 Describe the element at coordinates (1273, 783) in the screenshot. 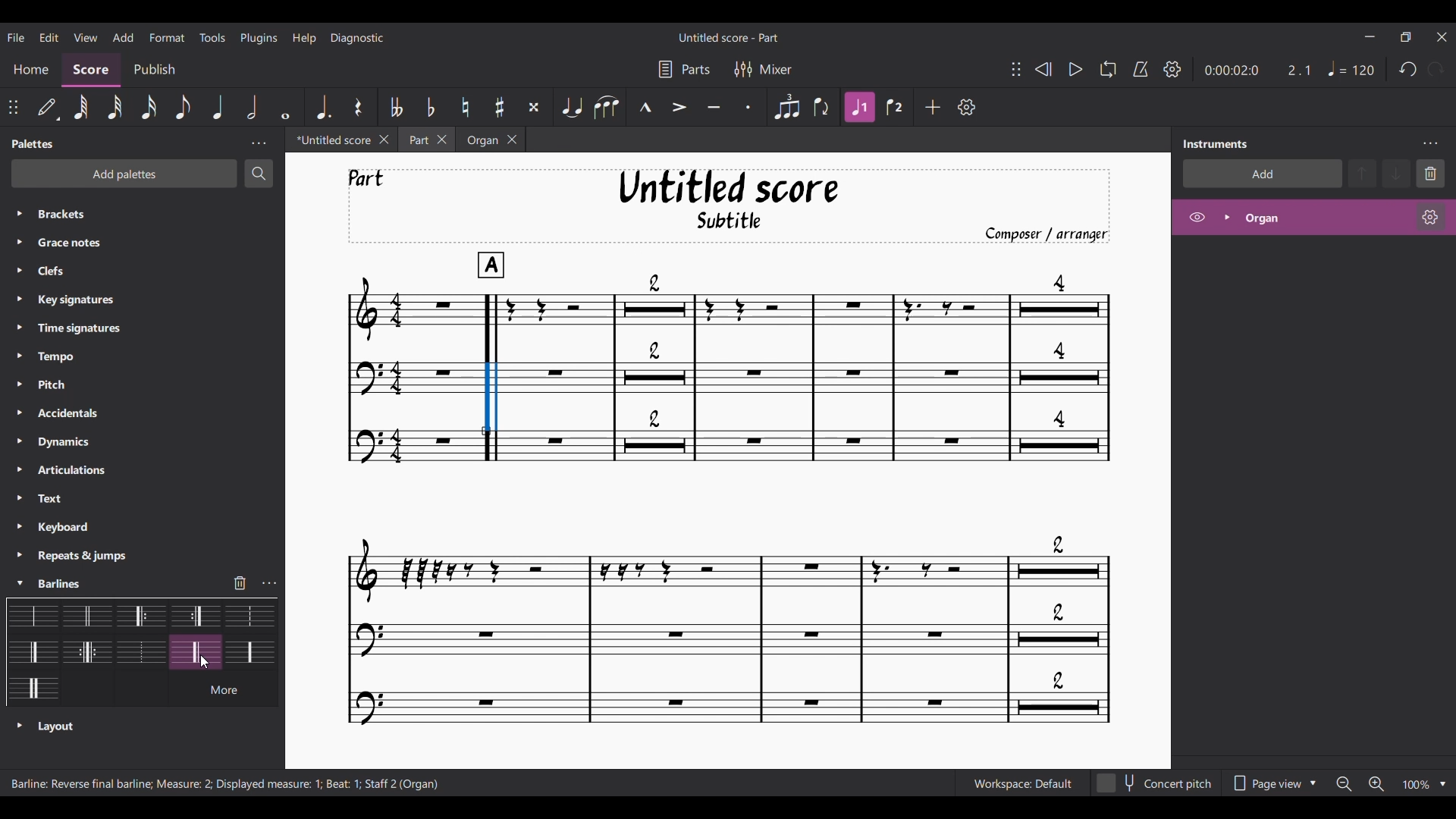

I see `Page view options` at that location.